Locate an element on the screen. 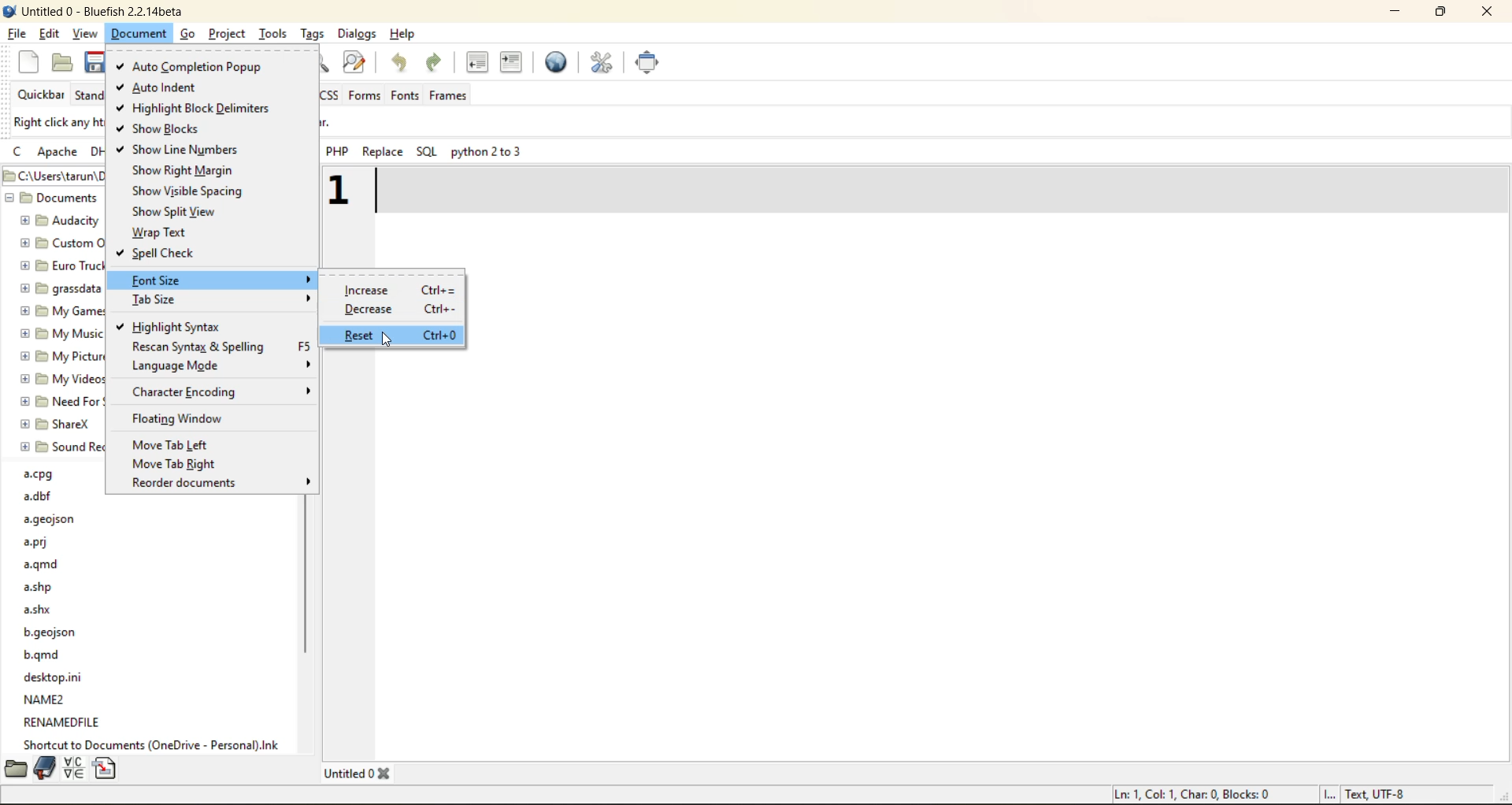 This screenshot has width=1512, height=805. audacity is located at coordinates (60, 222).